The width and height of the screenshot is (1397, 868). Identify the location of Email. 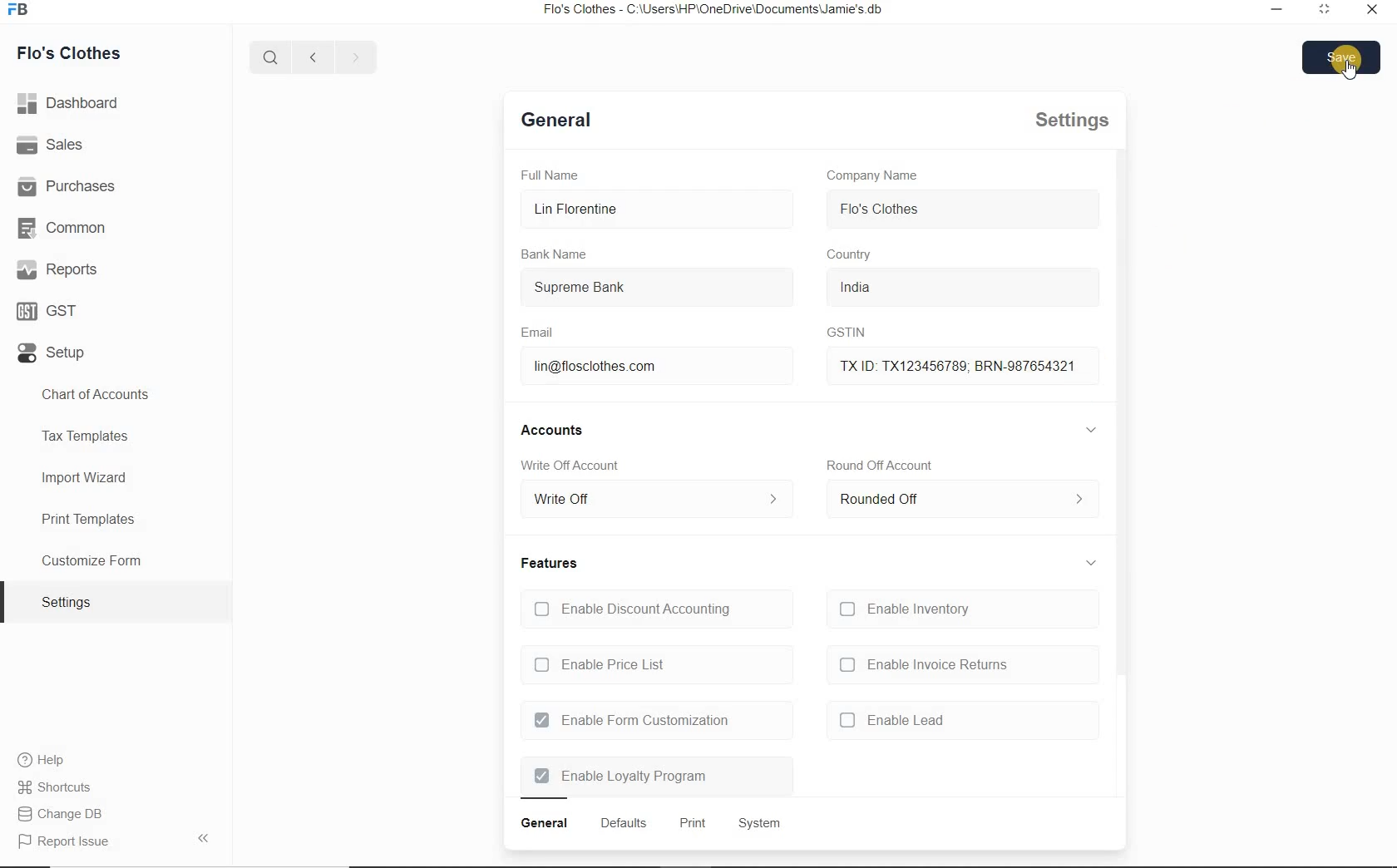
(541, 333).